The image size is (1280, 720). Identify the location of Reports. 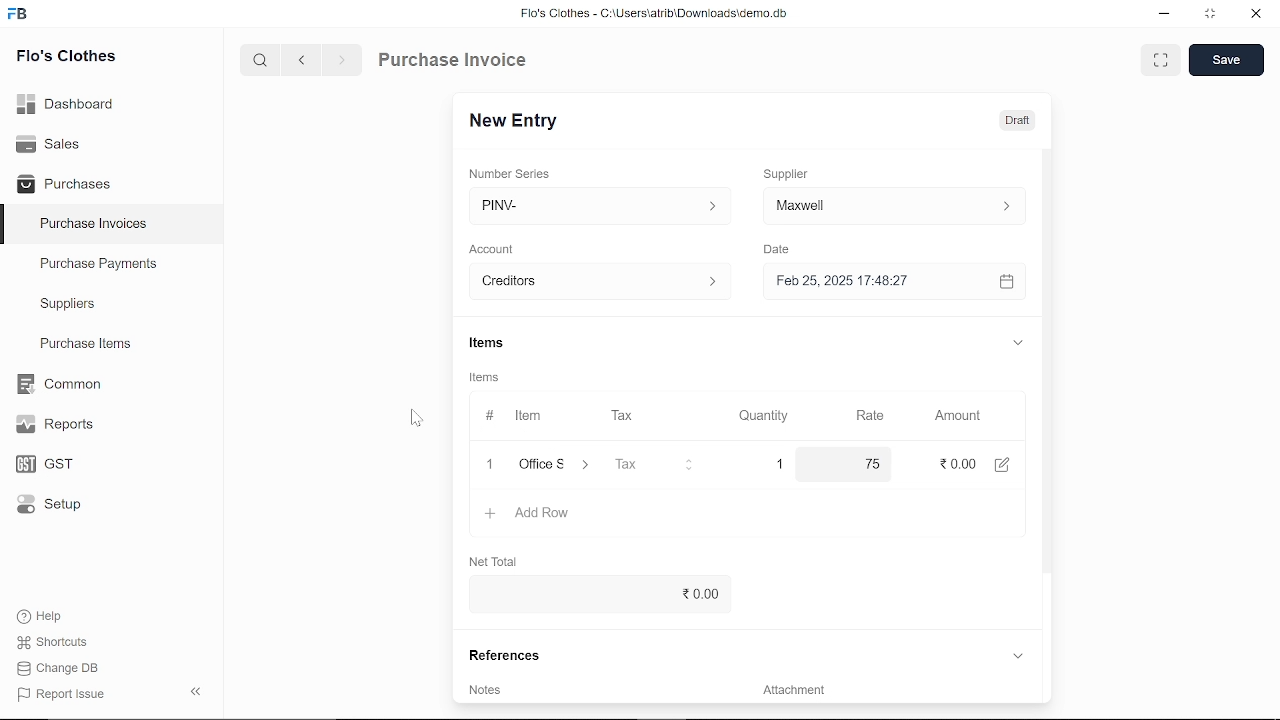
(54, 425).